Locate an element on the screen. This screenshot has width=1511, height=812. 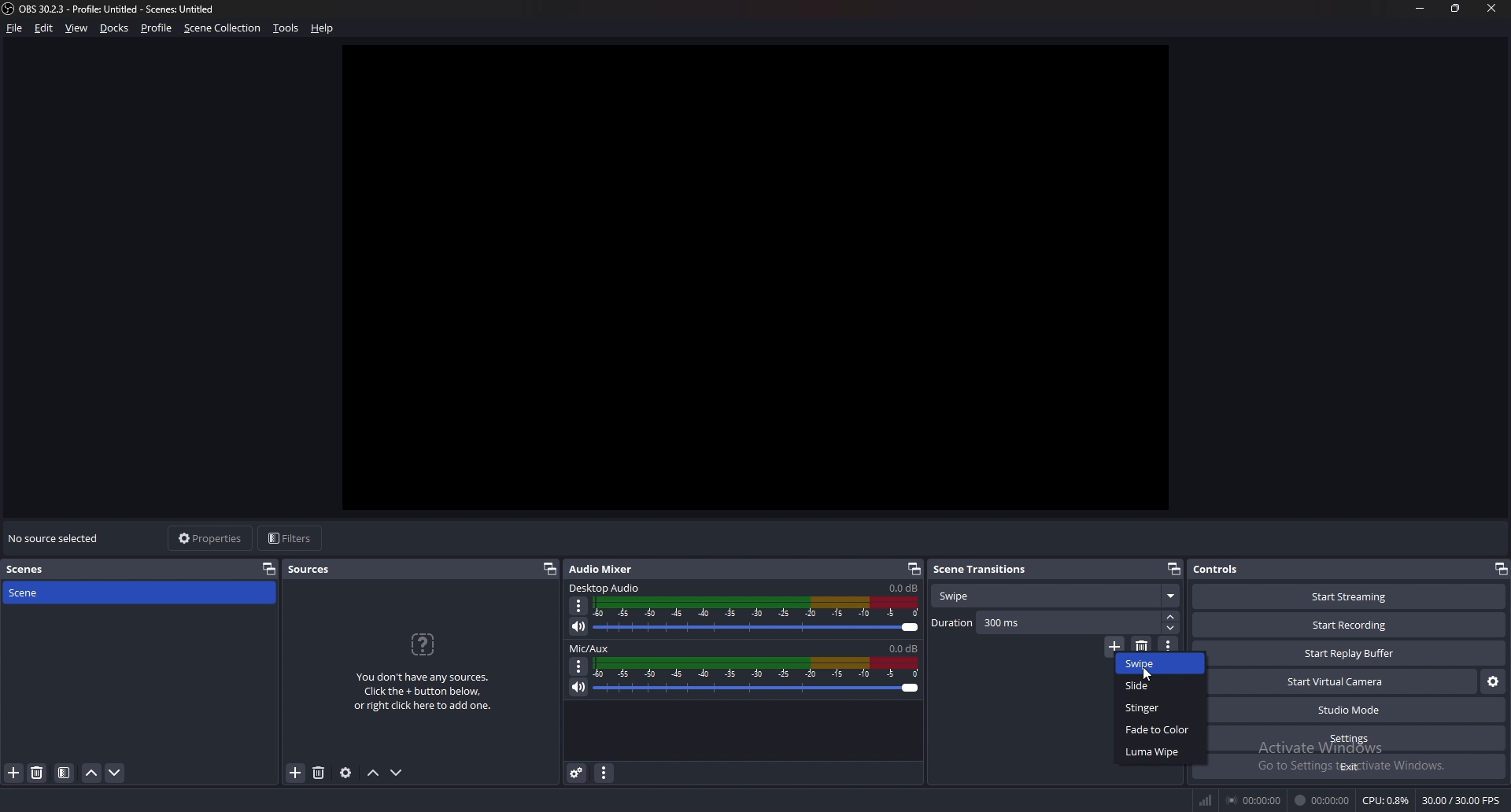
start recording is located at coordinates (1350, 626).